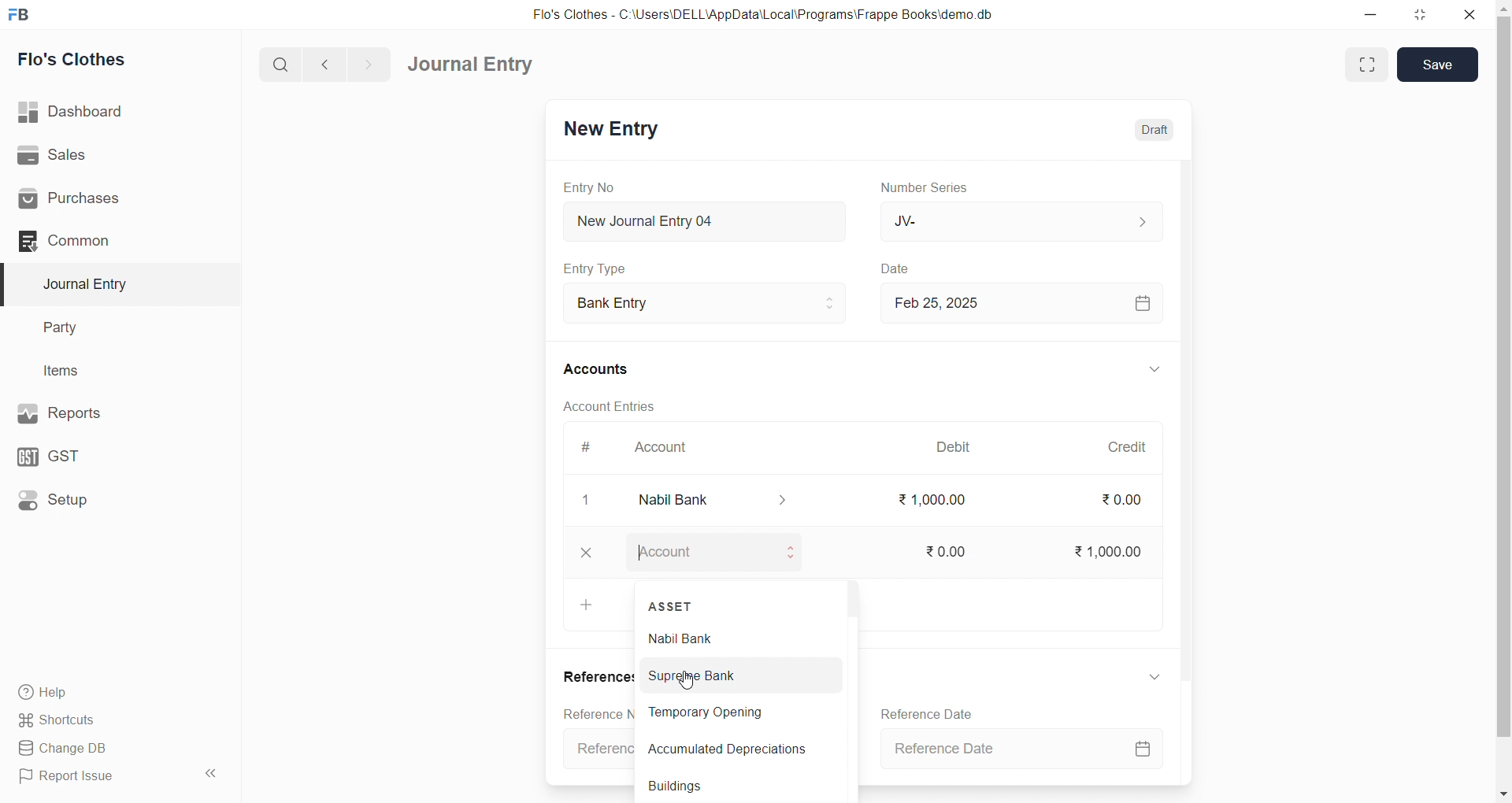  I want to click on Expand/Collapse, so click(1152, 371).